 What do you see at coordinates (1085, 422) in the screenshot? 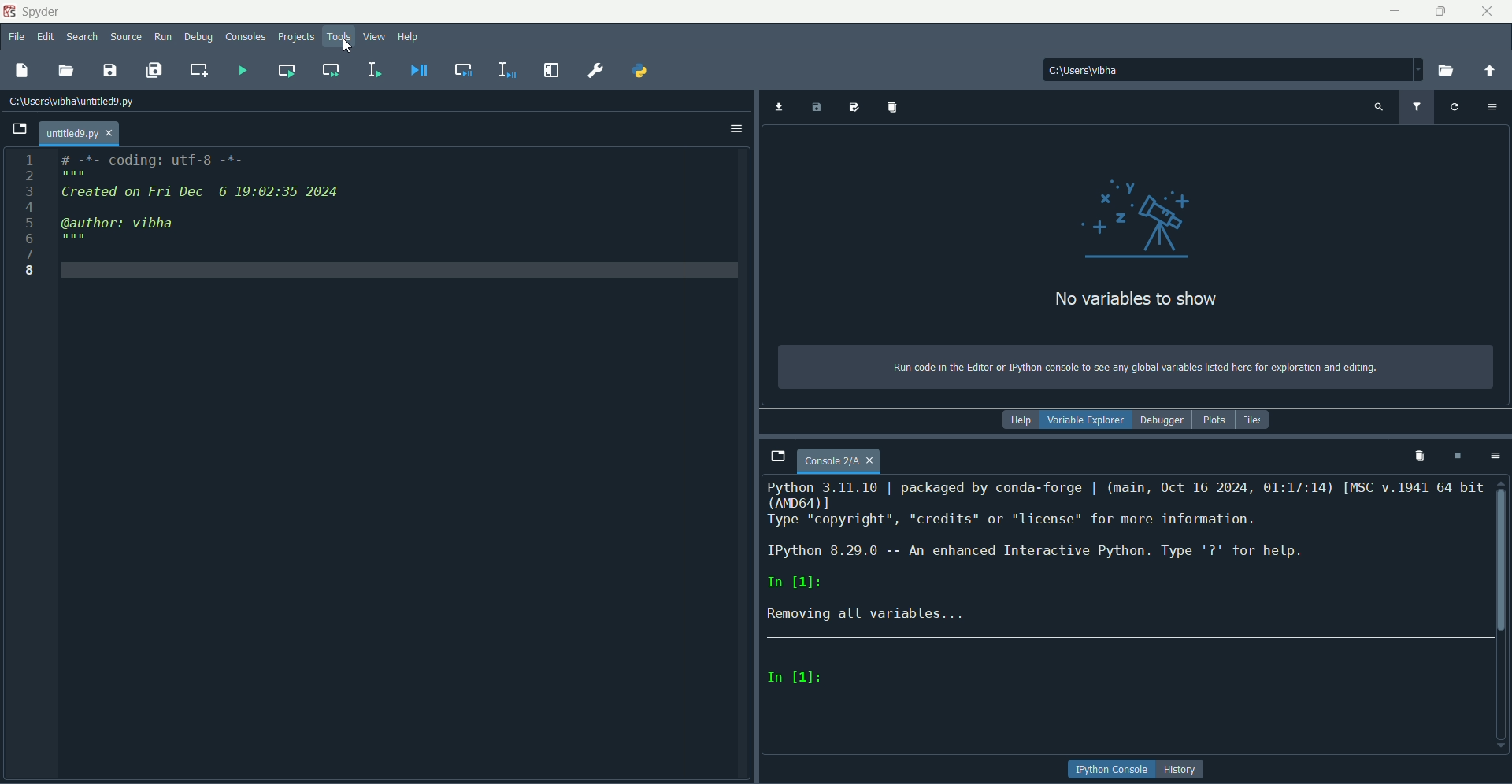
I see `variable explorer` at bounding box center [1085, 422].